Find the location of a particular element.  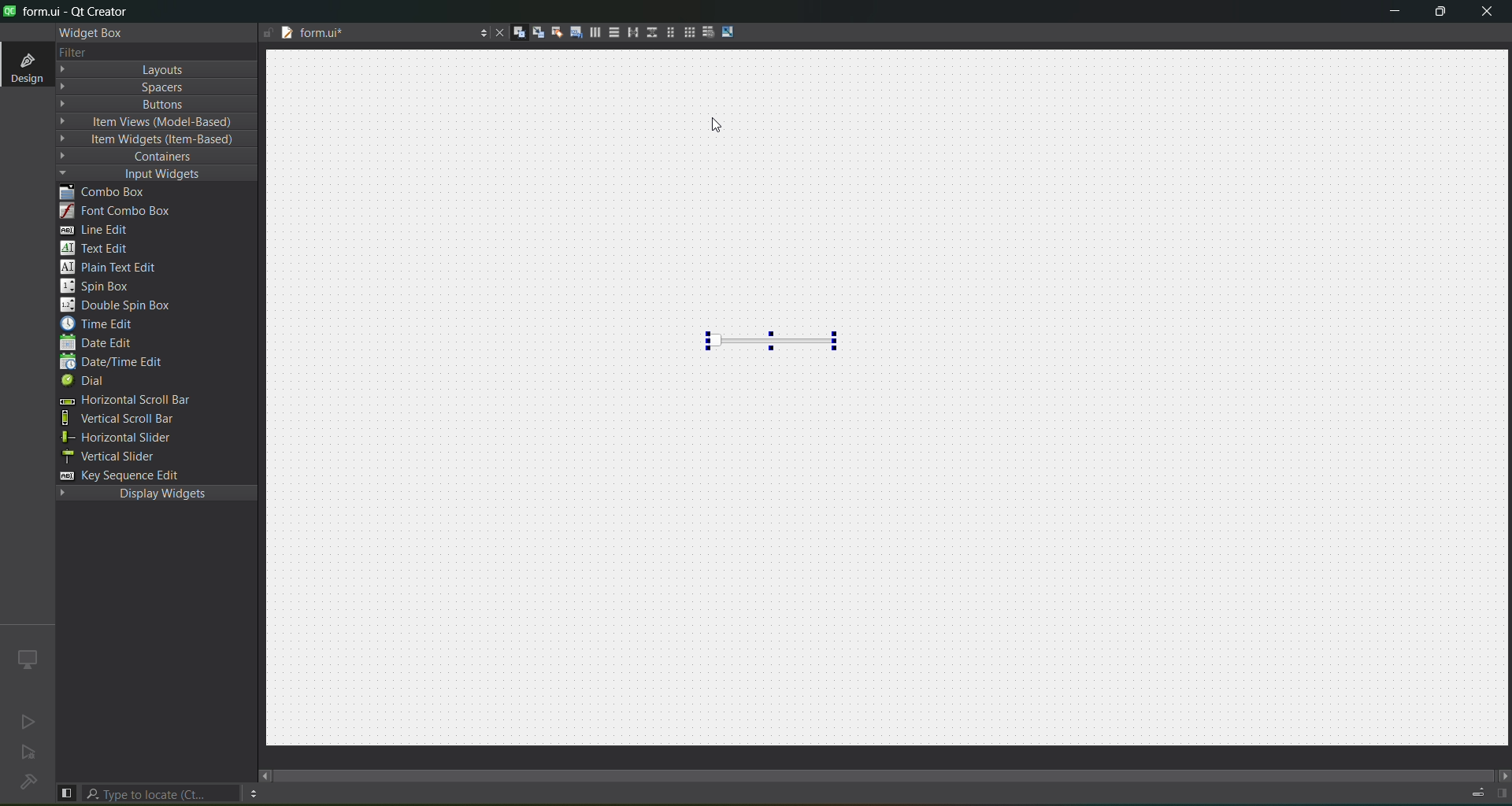

icon is located at coordinates (27, 657).